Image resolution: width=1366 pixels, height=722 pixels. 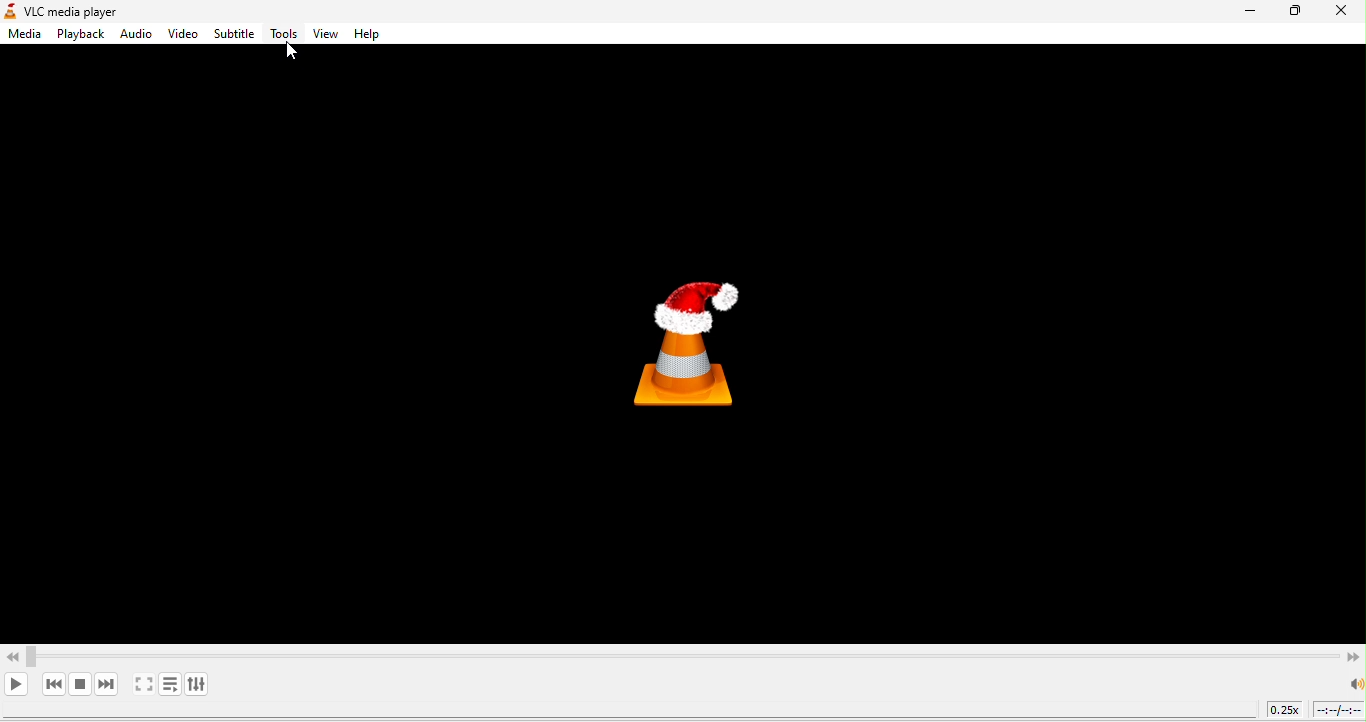 I want to click on video, so click(x=181, y=35).